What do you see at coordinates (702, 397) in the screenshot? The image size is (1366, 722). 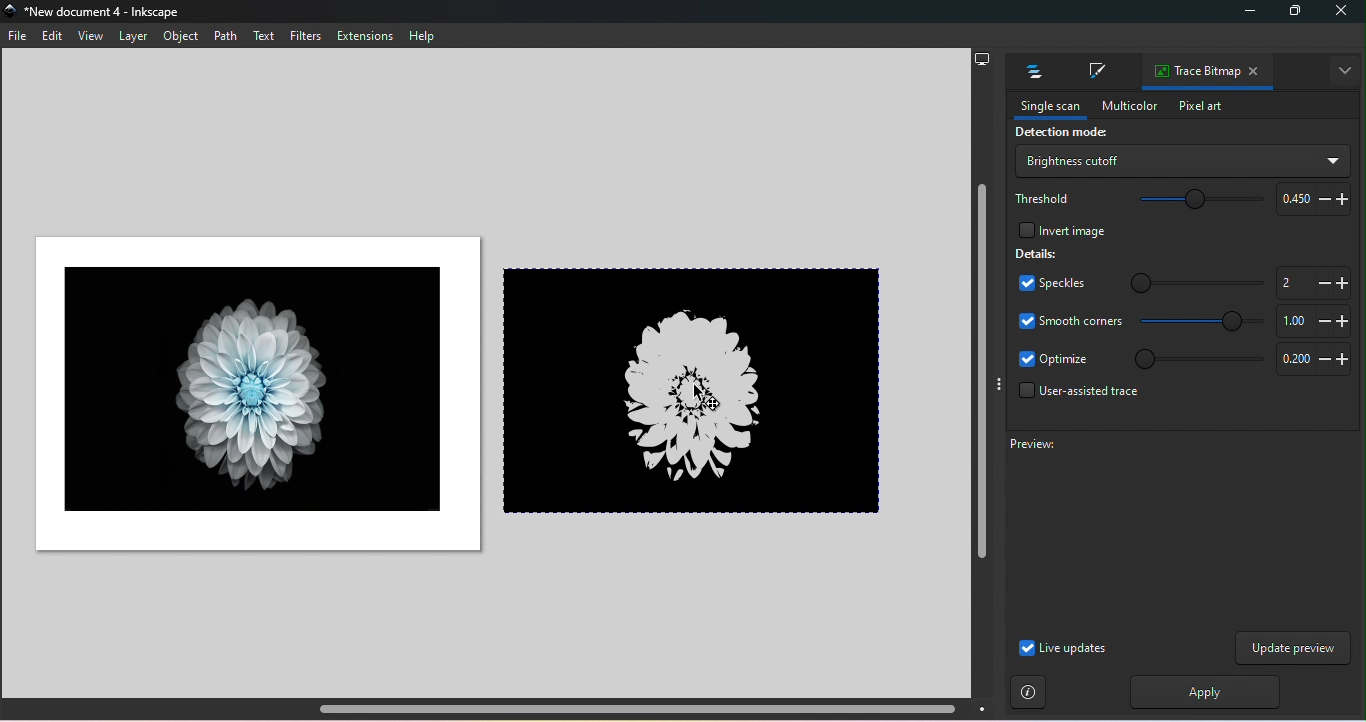 I see `cursor` at bounding box center [702, 397].